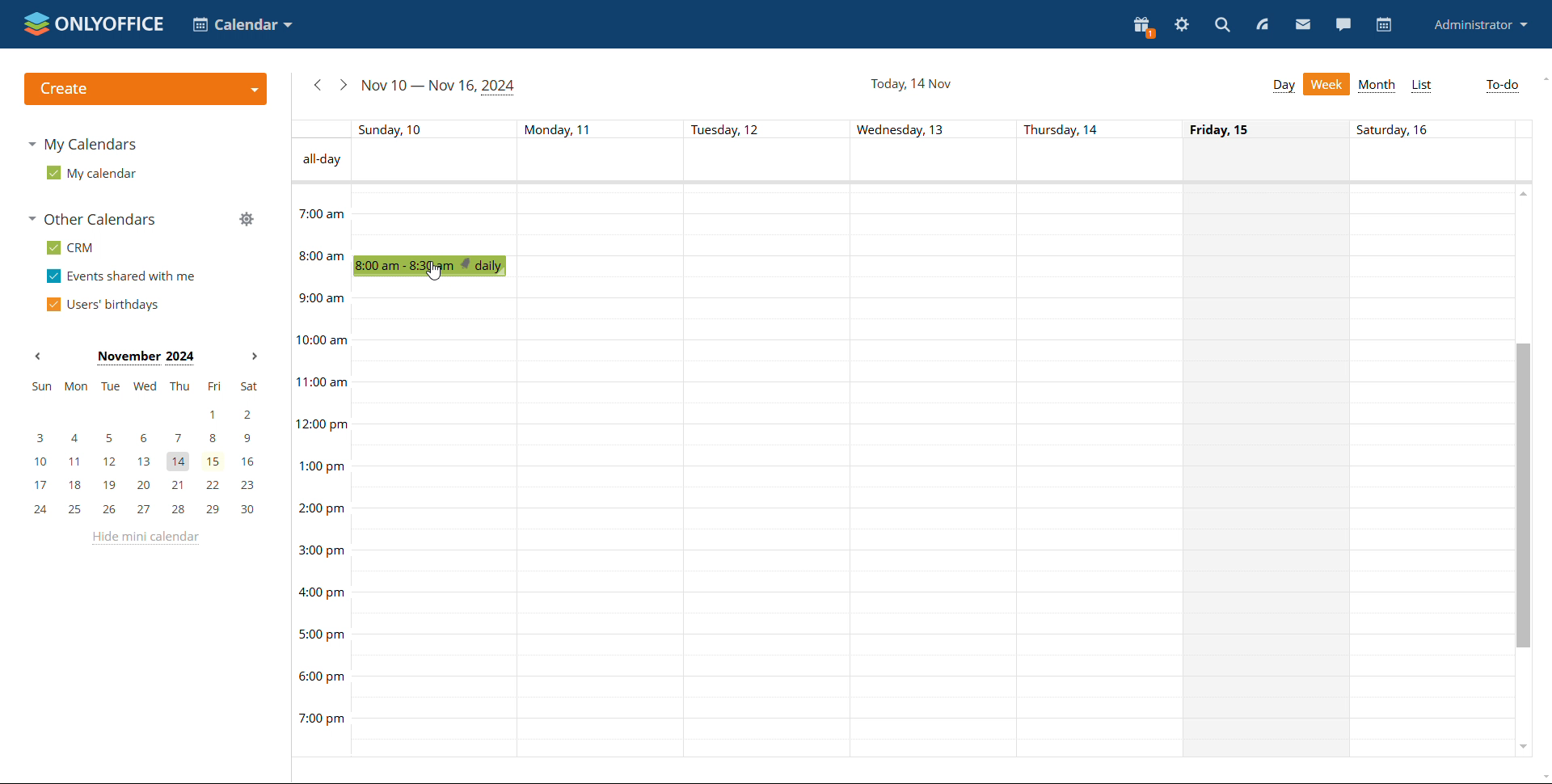 The height and width of the screenshot is (784, 1552). Describe the element at coordinates (1542, 777) in the screenshot. I see `scroll down` at that location.